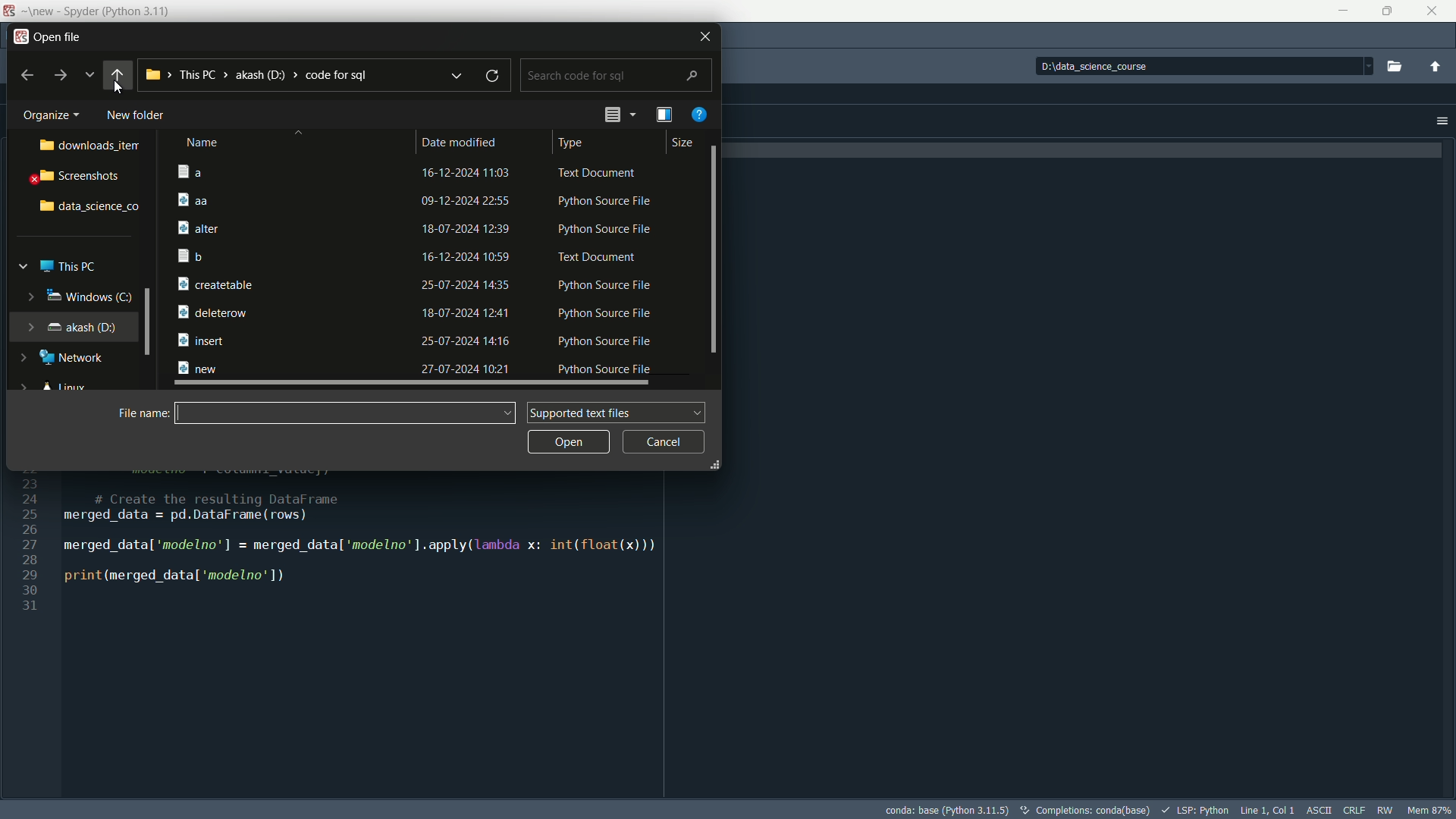 Image resolution: width=1456 pixels, height=819 pixels. What do you see at coordinates (335, 414) in the screenshot?
I see `name bar` at bounding box center [335, 414].